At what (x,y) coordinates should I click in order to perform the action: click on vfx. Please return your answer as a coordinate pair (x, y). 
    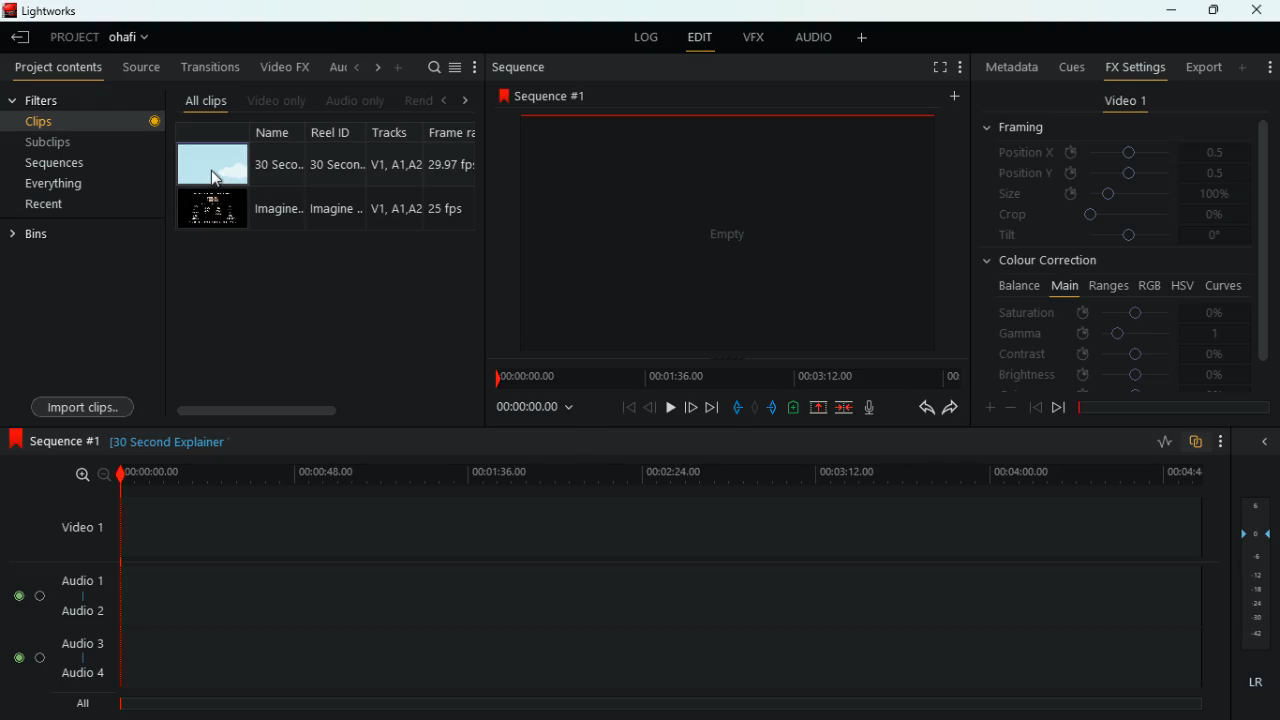
    Looking at the image, I should click on (751, 37).